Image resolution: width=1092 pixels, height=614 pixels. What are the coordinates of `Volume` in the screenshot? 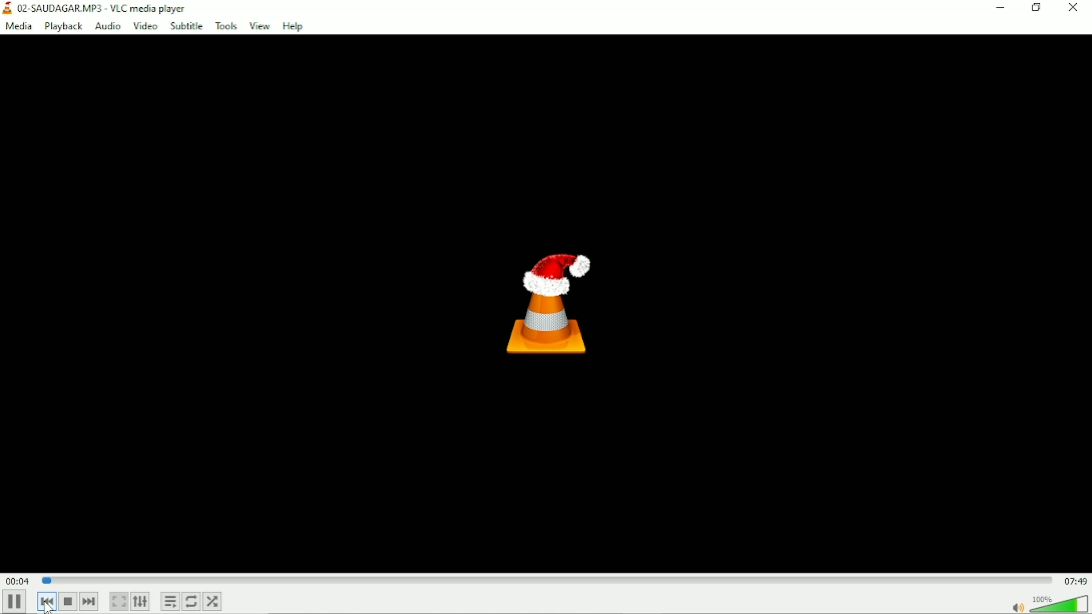 It's located at (1046, 602).